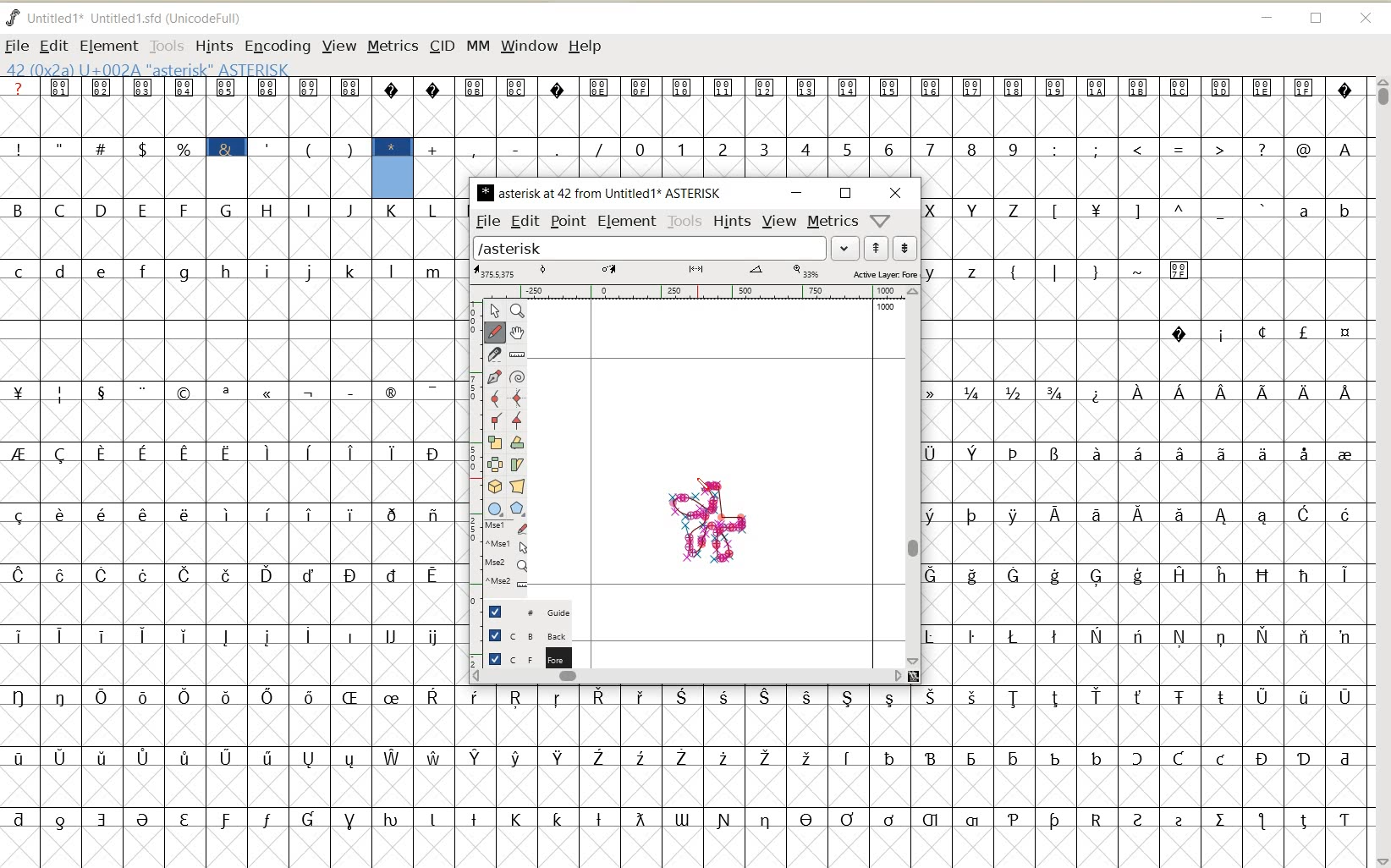 The width and height of the screenshot is (1391, 868). What do you see at coordinates (517, 356) in the screenshot?
I see `measure distance, angle between points` at bounding box center [517, 356].